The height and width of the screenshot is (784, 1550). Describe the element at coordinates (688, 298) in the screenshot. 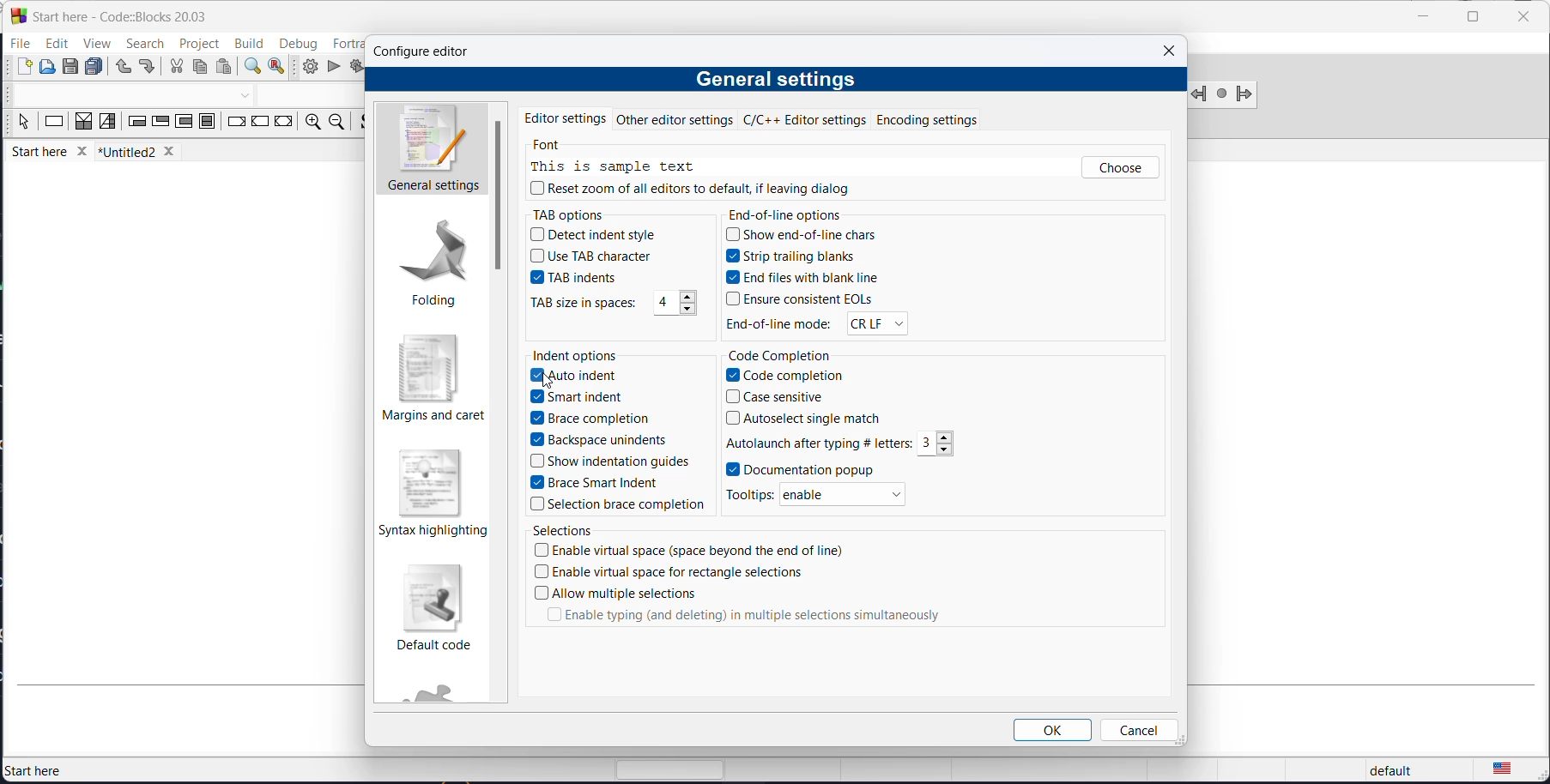

I see `increment tab size n spaces` at that location.